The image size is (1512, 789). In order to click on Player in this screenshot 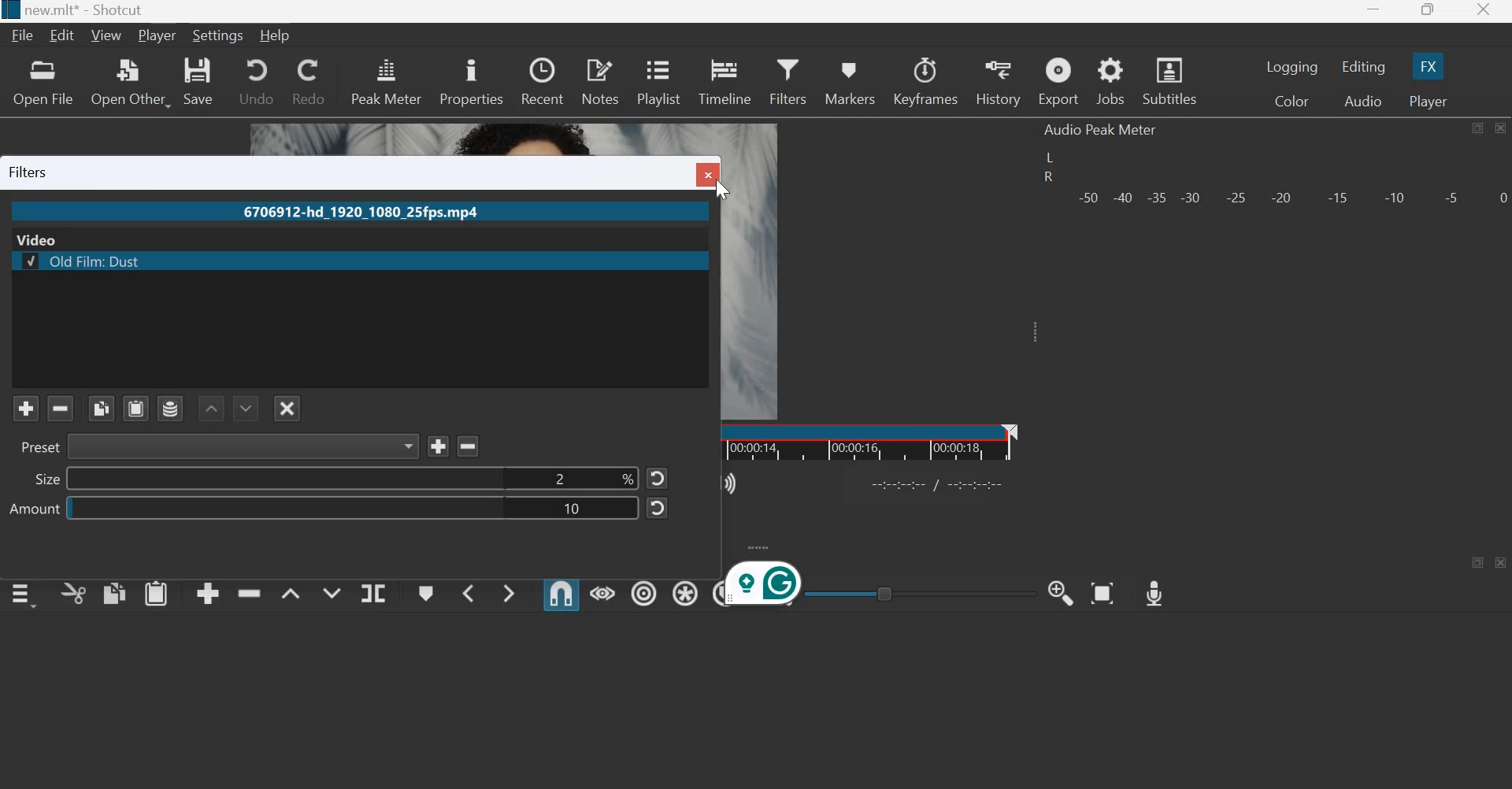, I will do `click(1426, 101)`.